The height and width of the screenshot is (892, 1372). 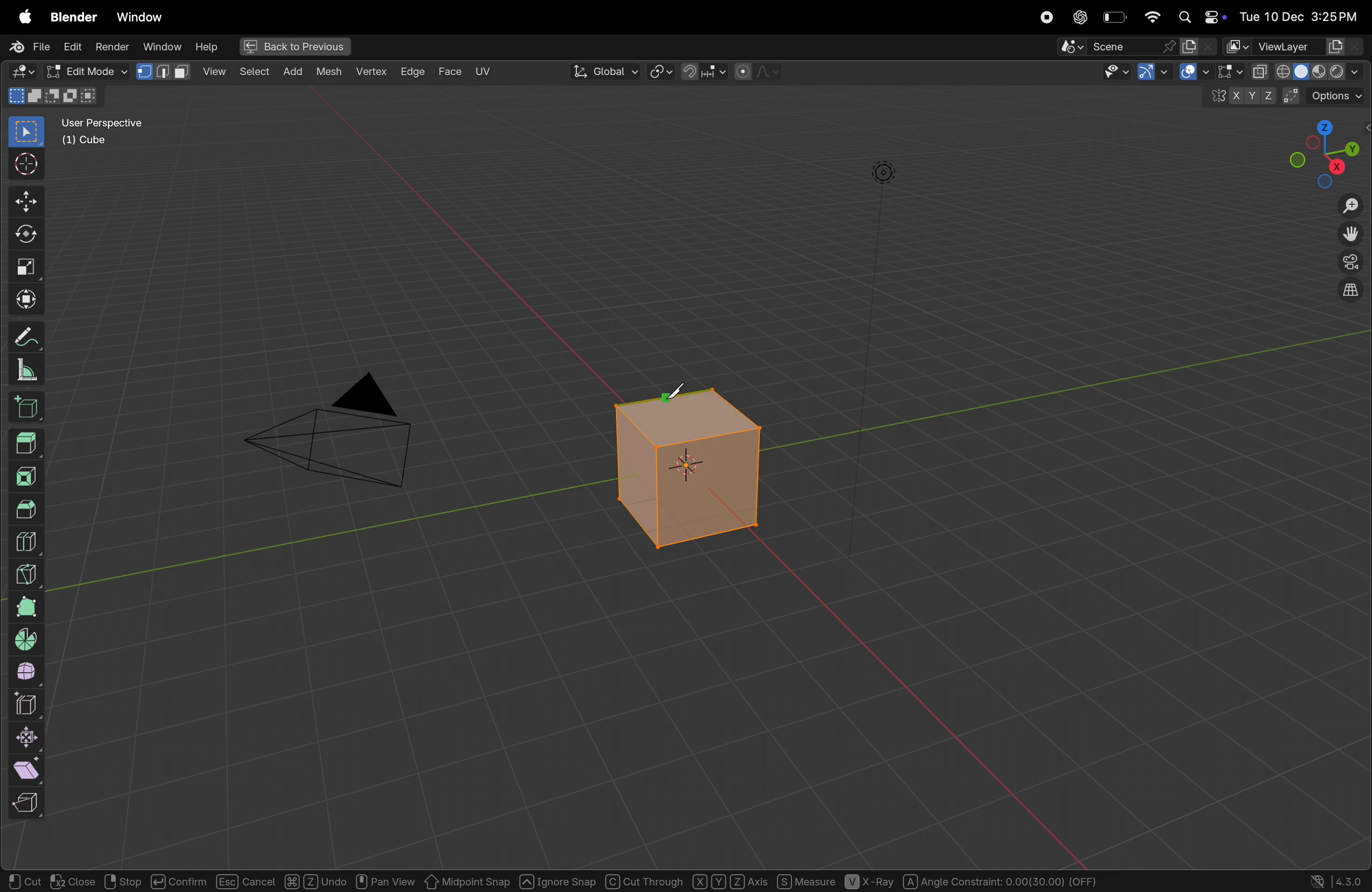 What do you see at coordinates (246, 881) in the screenshot?
I see `Cancel` at bounding box center [246, 881].